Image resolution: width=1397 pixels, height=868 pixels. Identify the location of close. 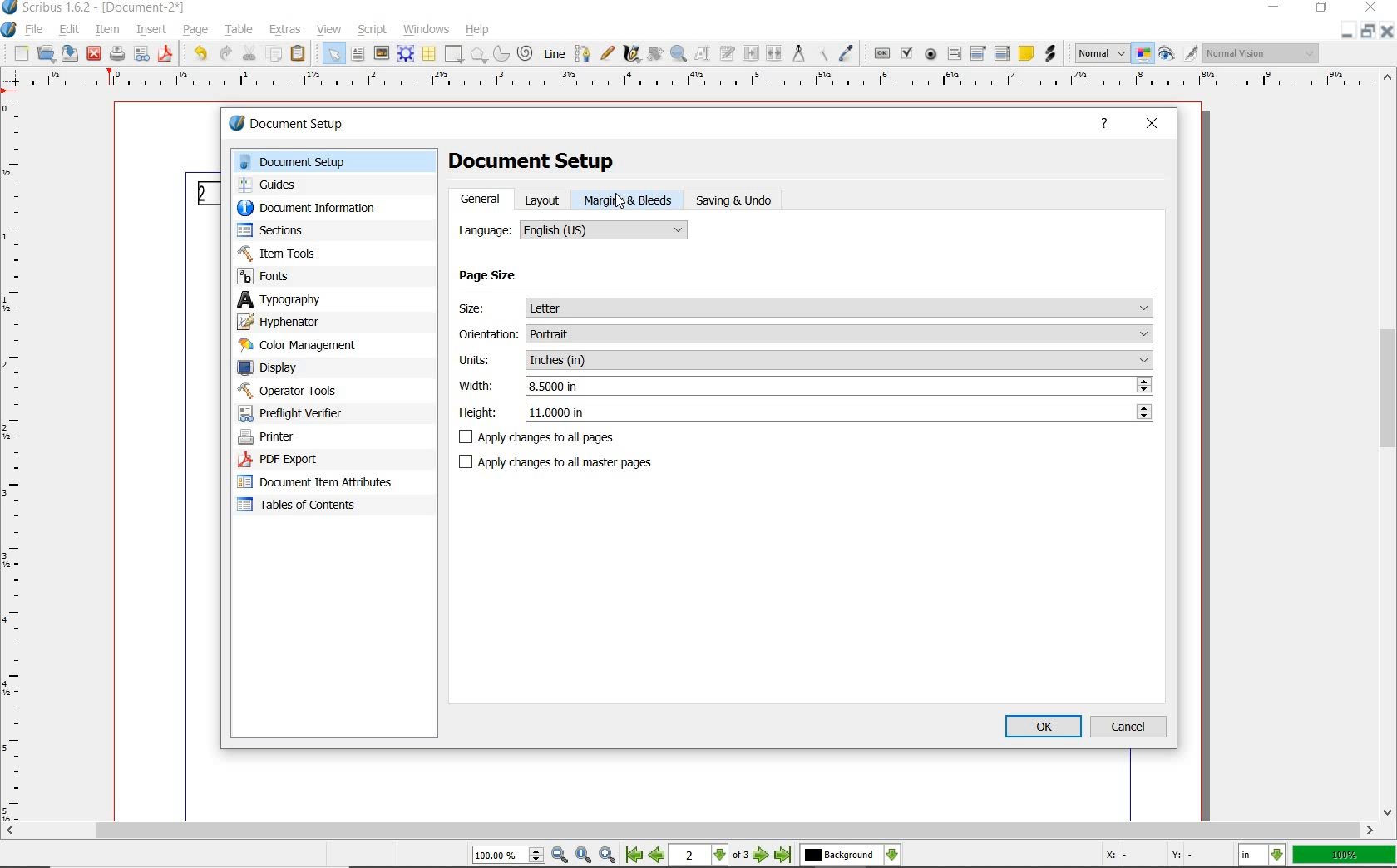
(1370, 8).